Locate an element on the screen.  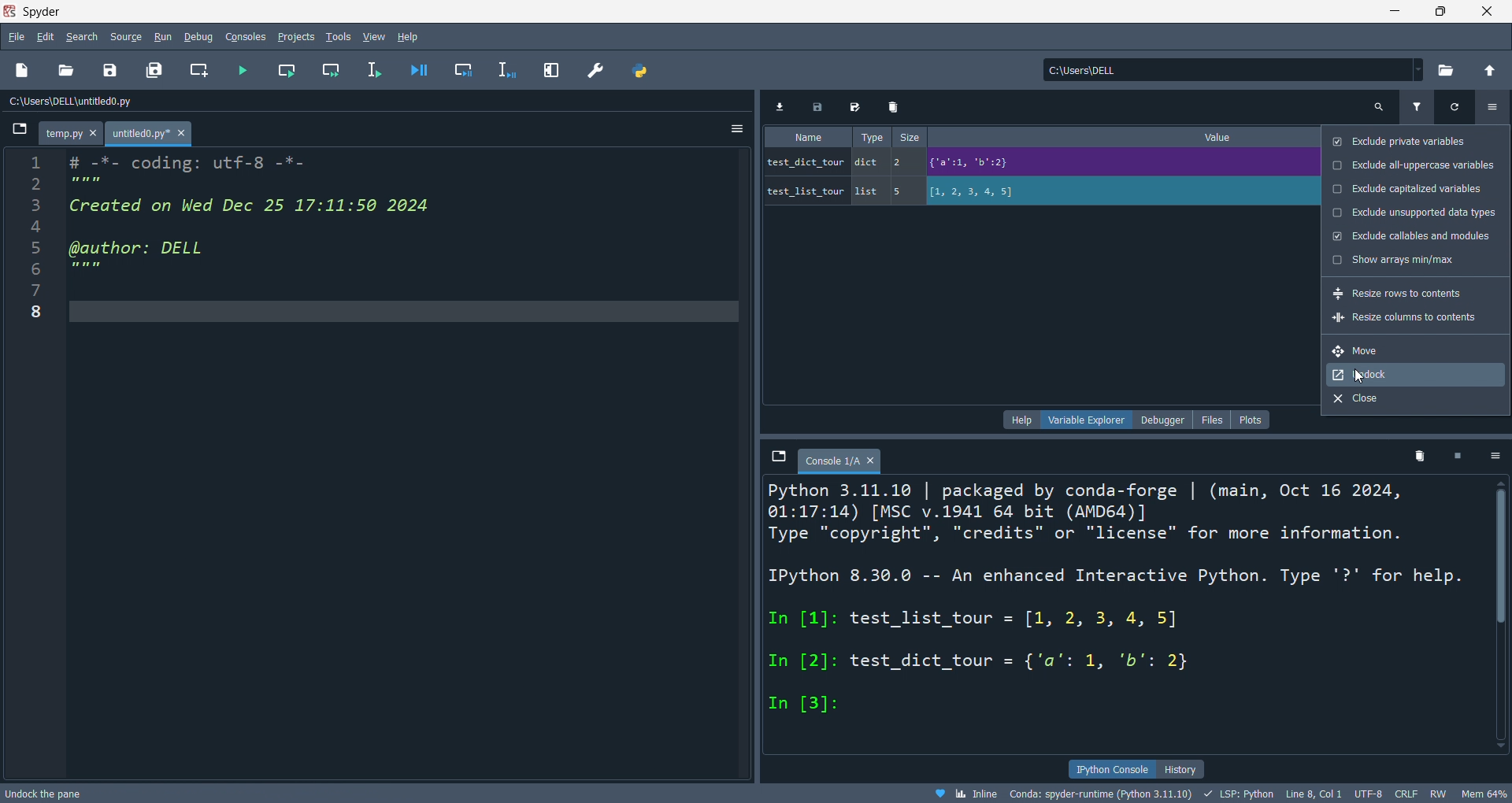
Line8, Col 1 is located at coordinates (1315, 793).